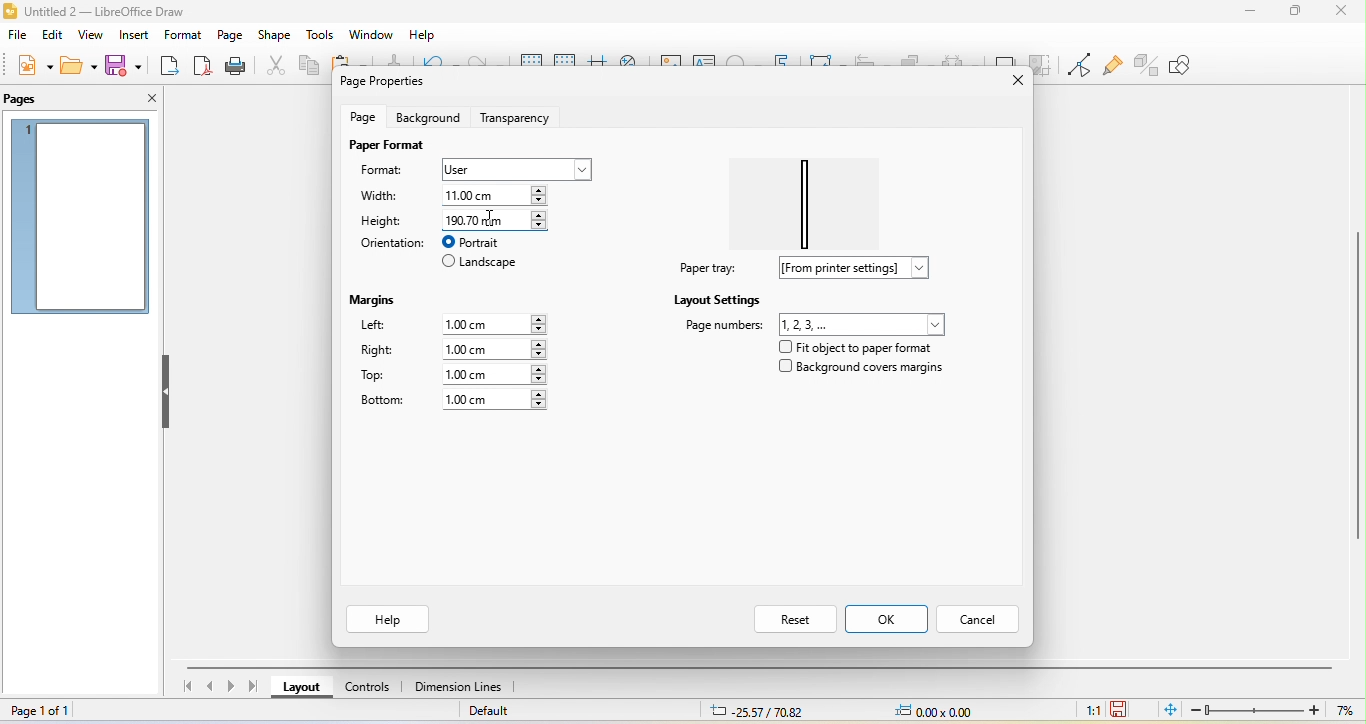 The width and height of the screenshot is (1366, 724). Describe the element at coordinates (1169, 709) in the screenshot. I see `fit page to current window` at that location.